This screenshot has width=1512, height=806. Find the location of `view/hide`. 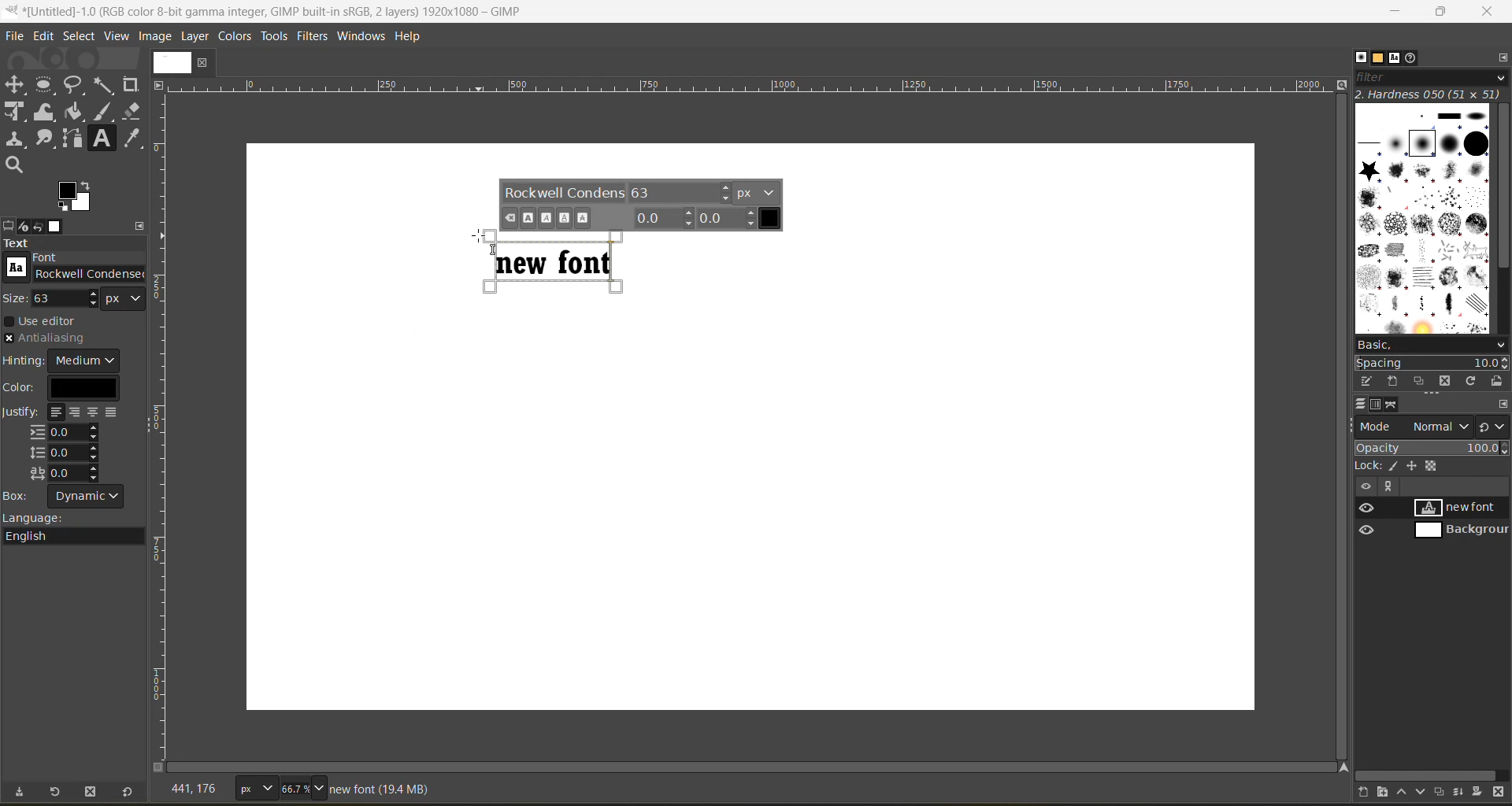

view/hide is located at coordinates (1360, 519).